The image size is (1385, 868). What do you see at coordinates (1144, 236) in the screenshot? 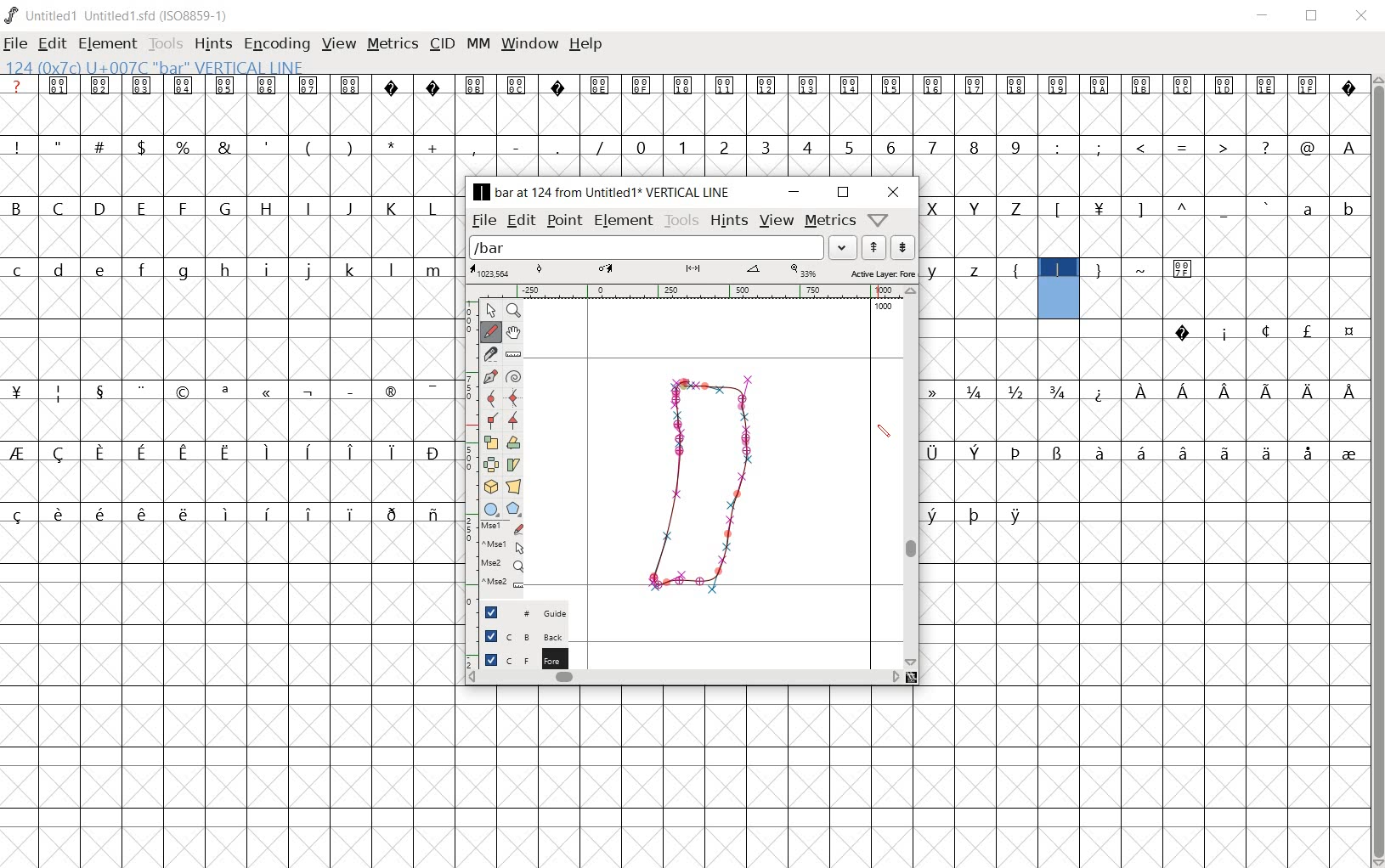
I see `empty cells` at bounding box center [1144, 236].